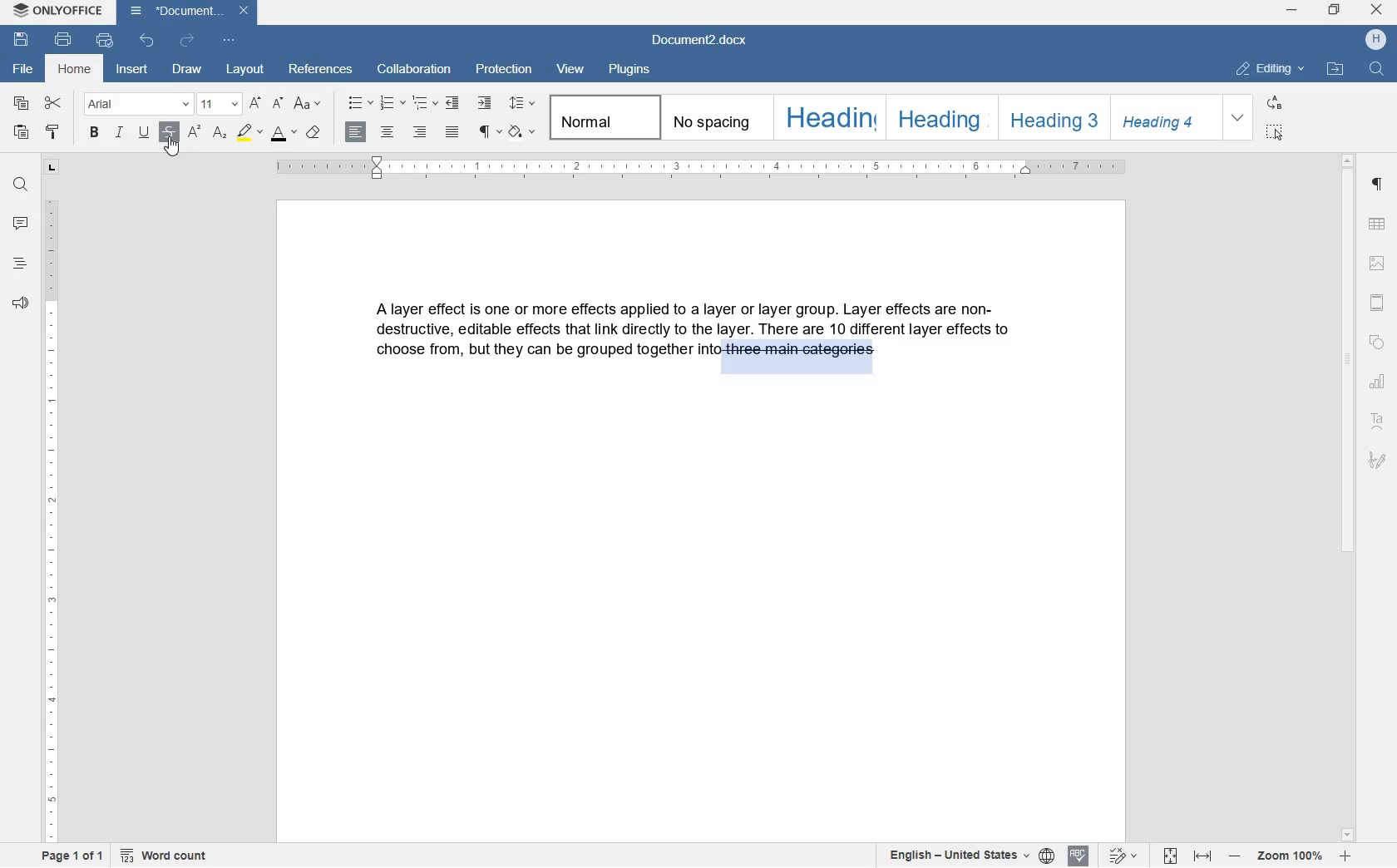 The height and width of the screenshot is (868, 1397). What do you see at coordinates (20, 224) in the screenshot?
I see `comment` at bounding box center [20, 224].